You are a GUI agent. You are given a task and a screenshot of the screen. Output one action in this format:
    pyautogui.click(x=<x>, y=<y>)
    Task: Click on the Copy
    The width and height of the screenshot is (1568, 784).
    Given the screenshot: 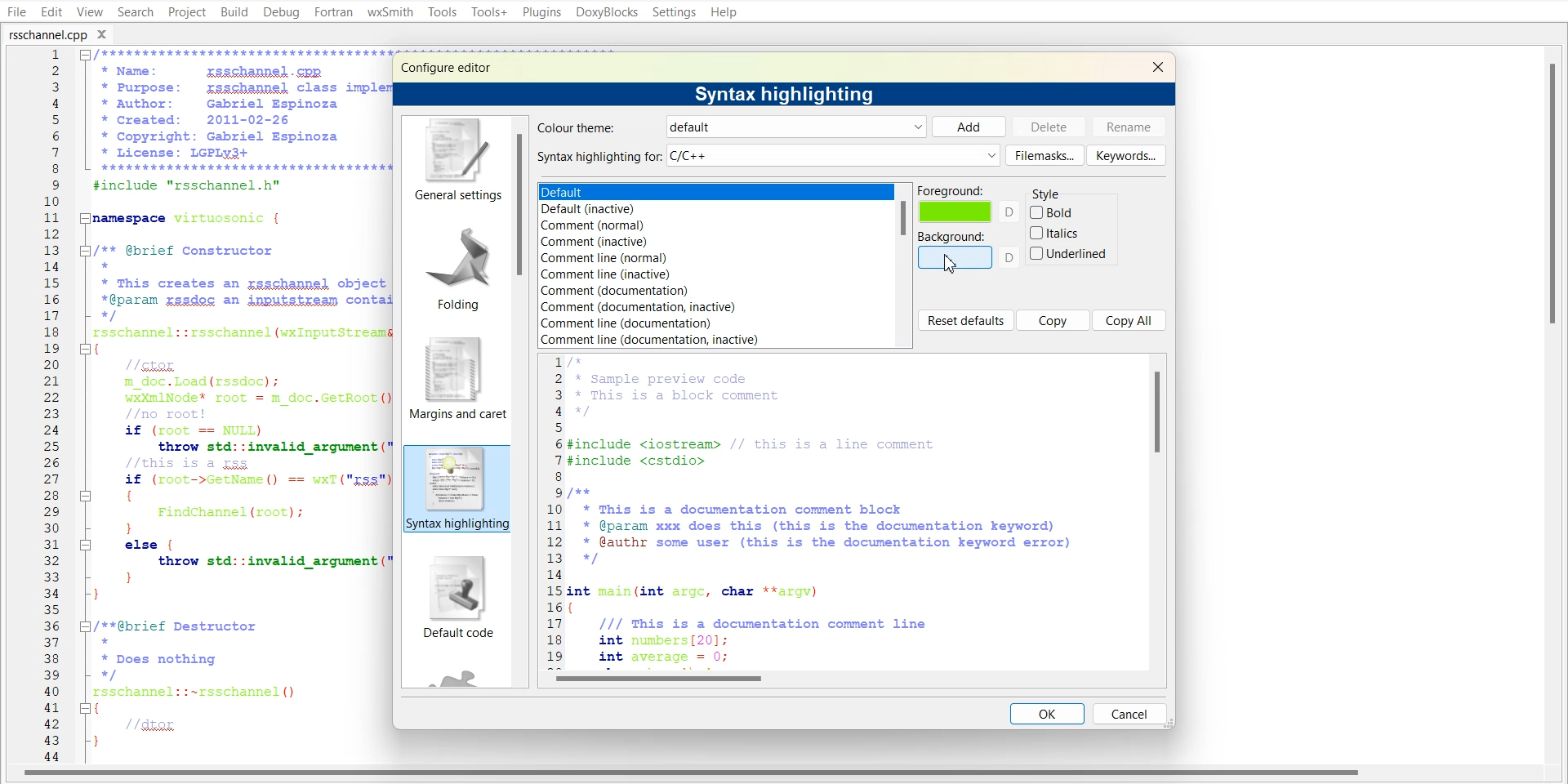 What is the action you would take?
    pyautogui.click(x=1053, y=320)
    